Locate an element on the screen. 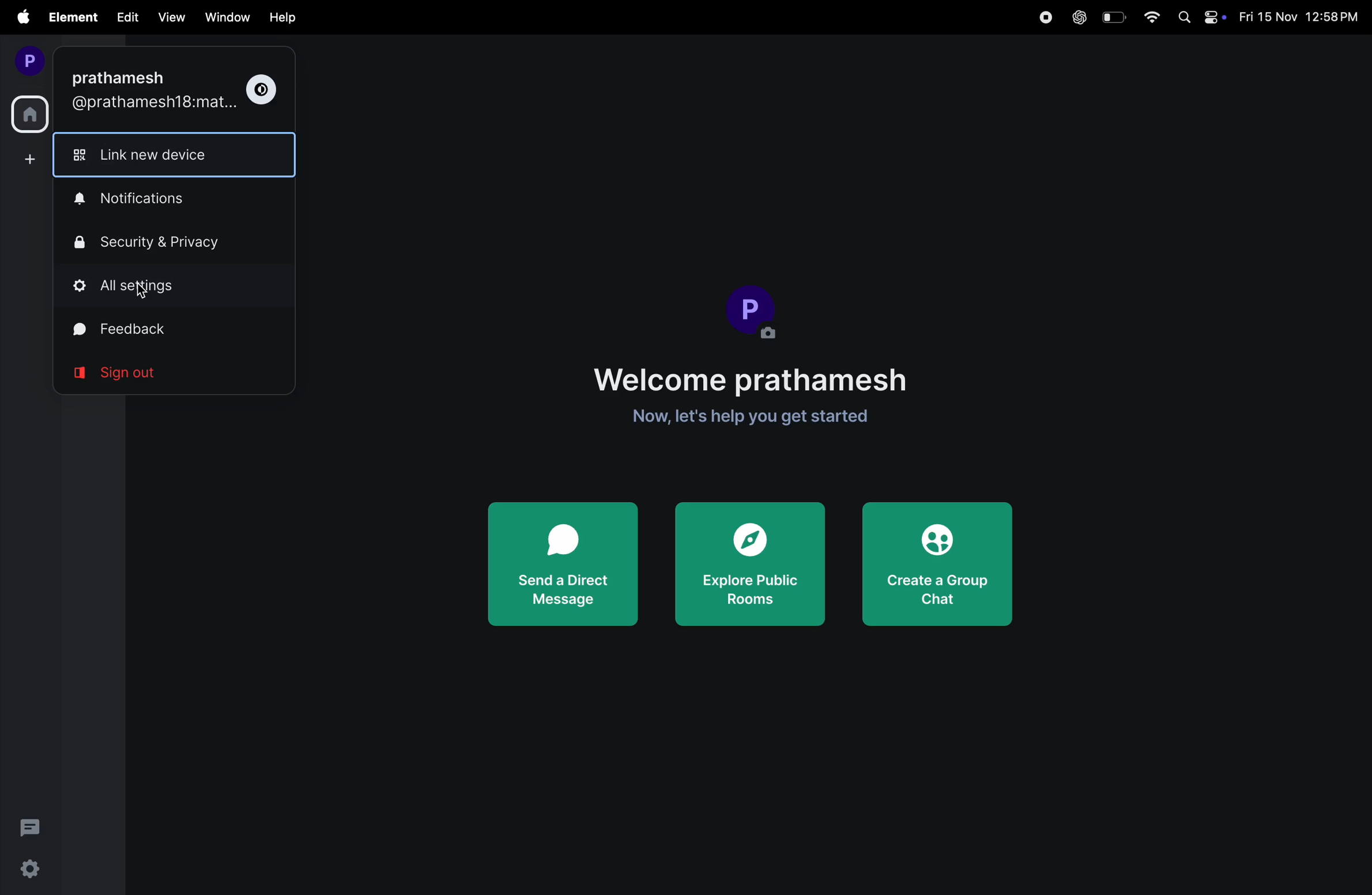 The height and width of the screenshot is (895, 1372). view is located at coordinates (168, 17).